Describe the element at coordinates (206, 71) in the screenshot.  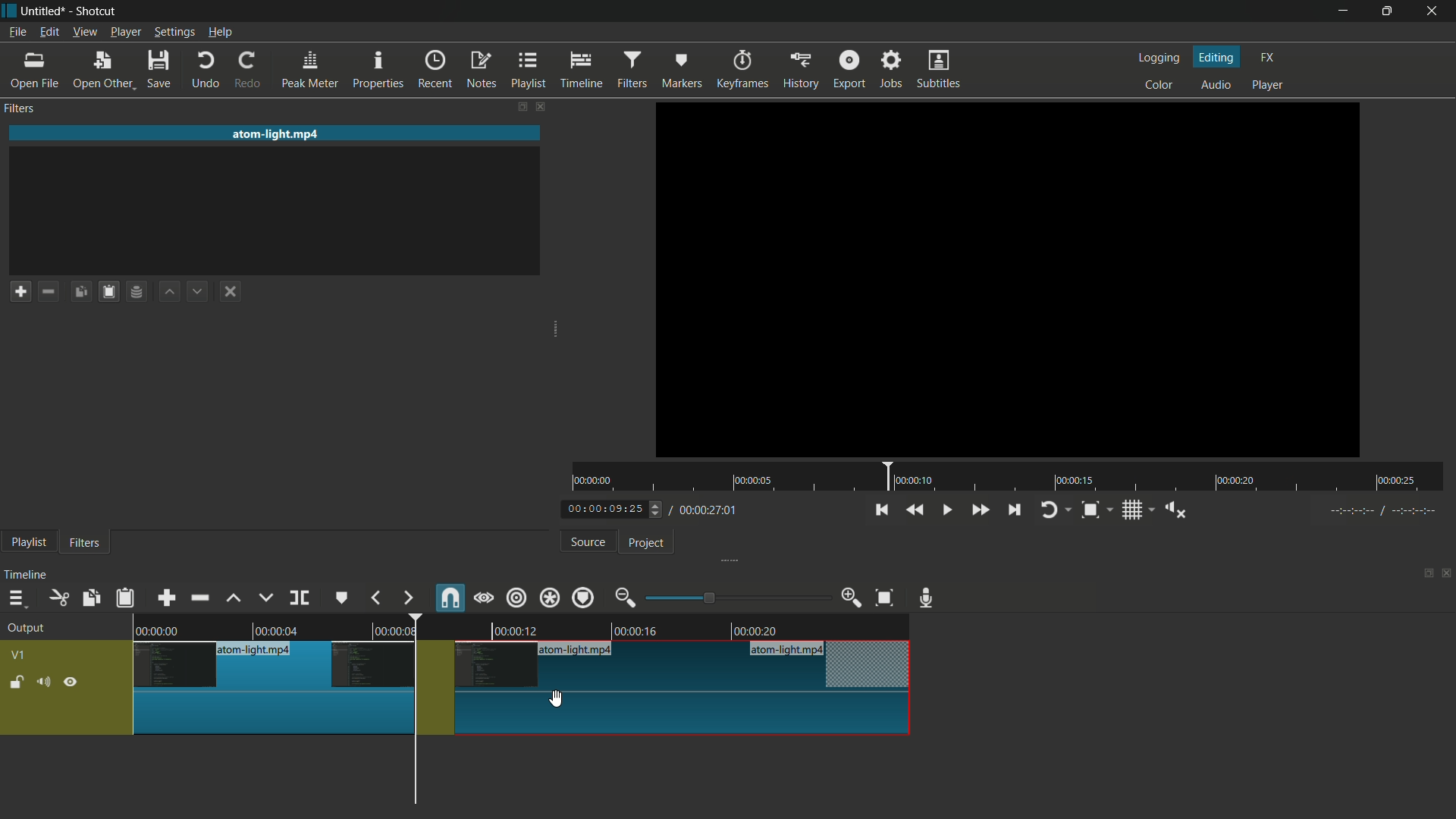
I see `undo` at that location.